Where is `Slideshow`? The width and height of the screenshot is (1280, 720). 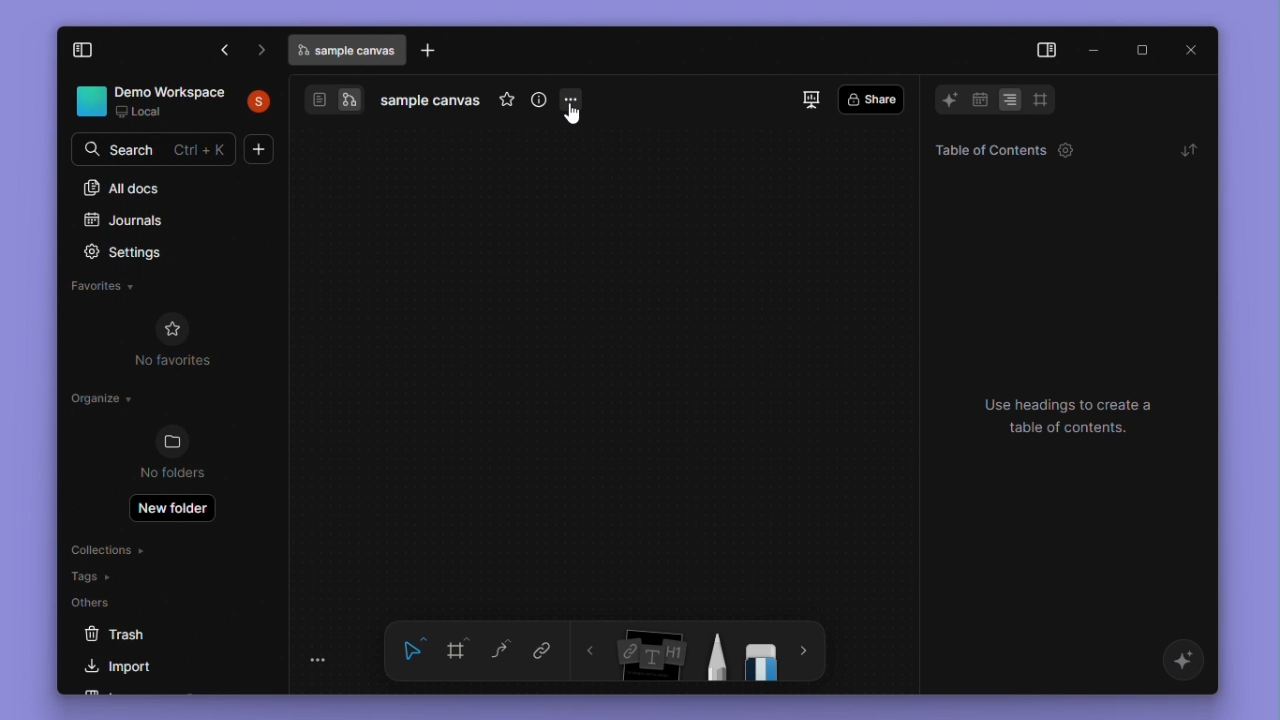 Slideshow is located at coordinates (814, 101).